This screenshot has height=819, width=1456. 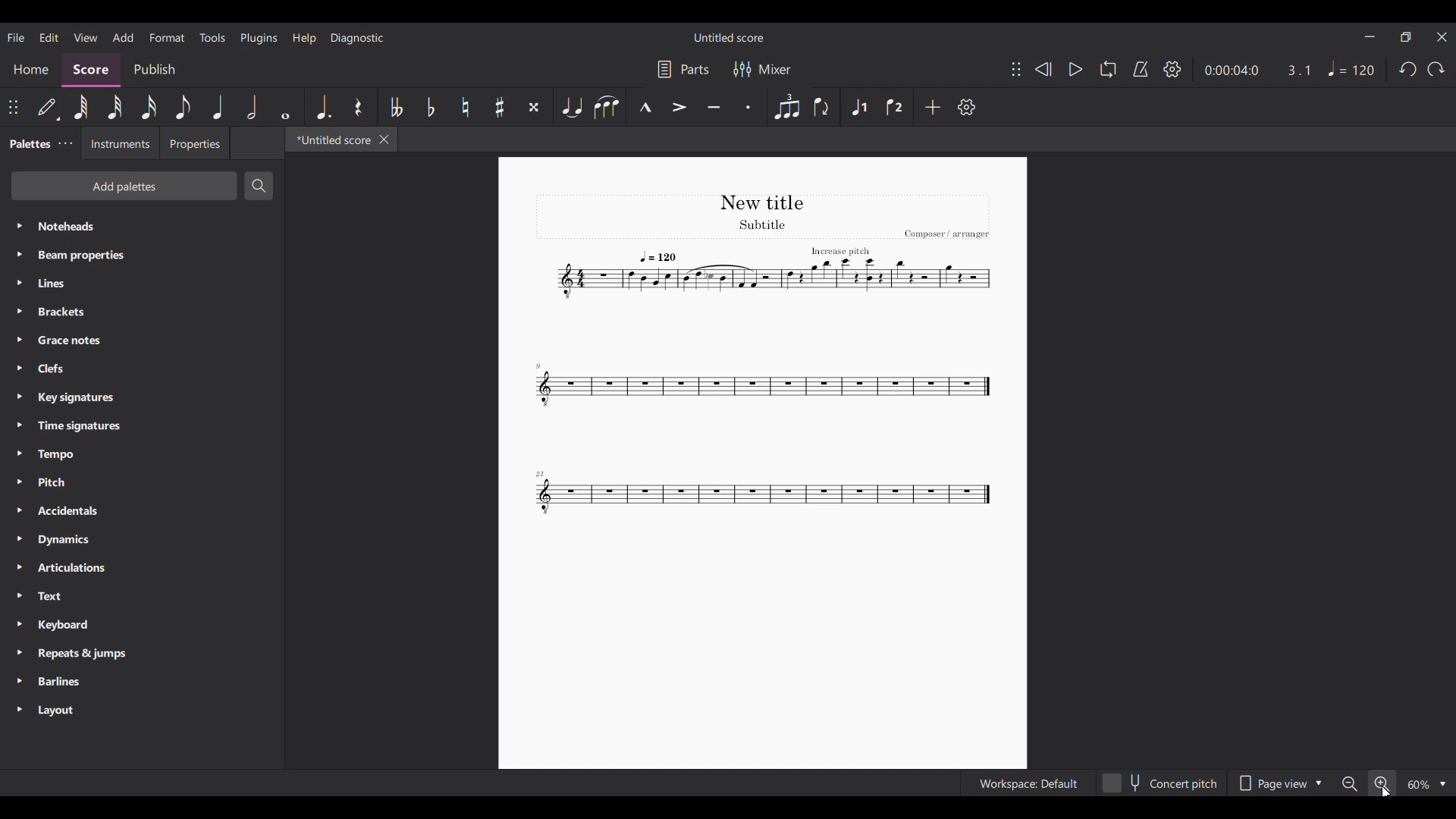 I want to click on Tuplet, so click(x=786, y=106).